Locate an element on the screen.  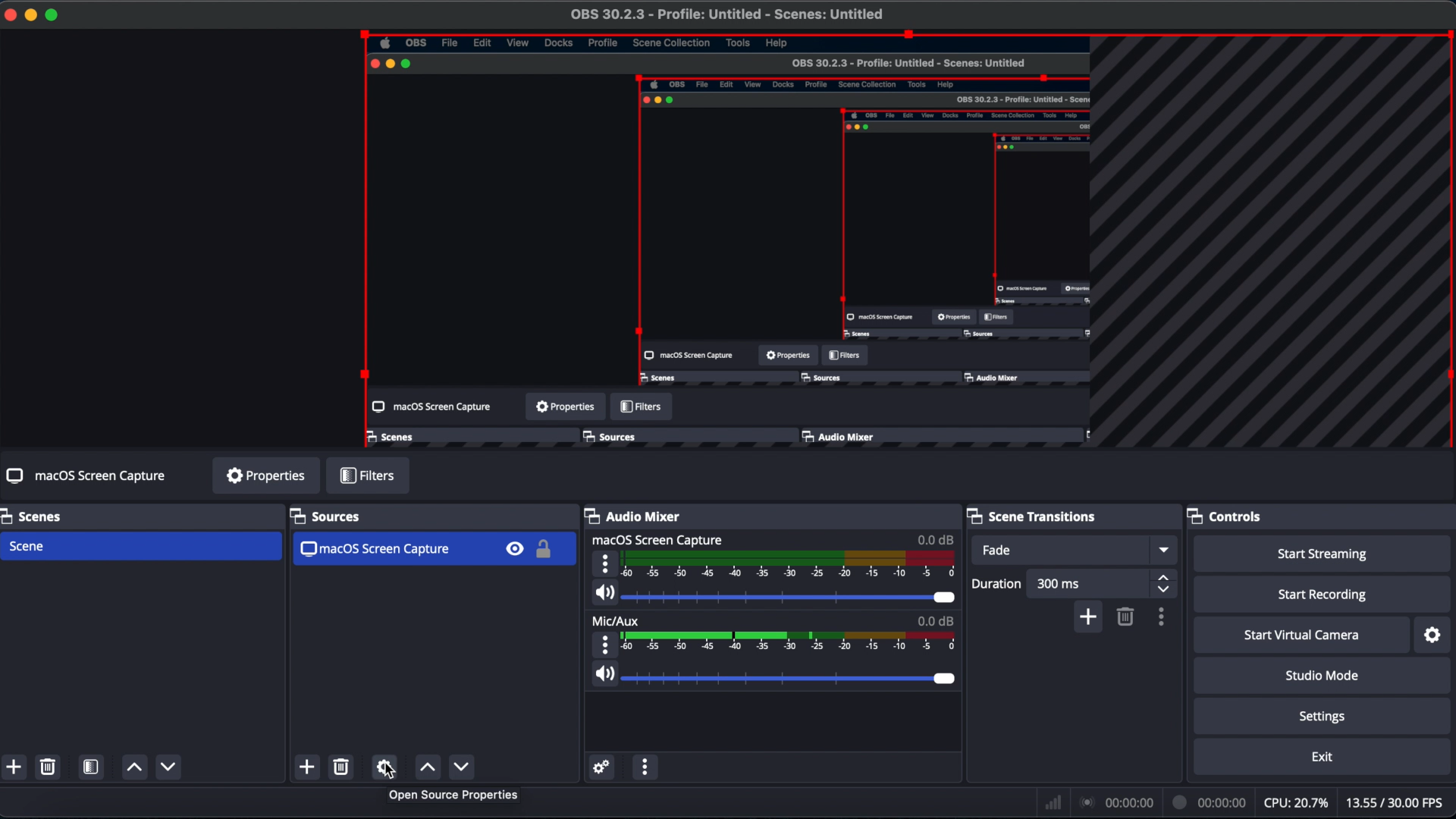
mic volume slider handle is located at coordinates (946, 679).